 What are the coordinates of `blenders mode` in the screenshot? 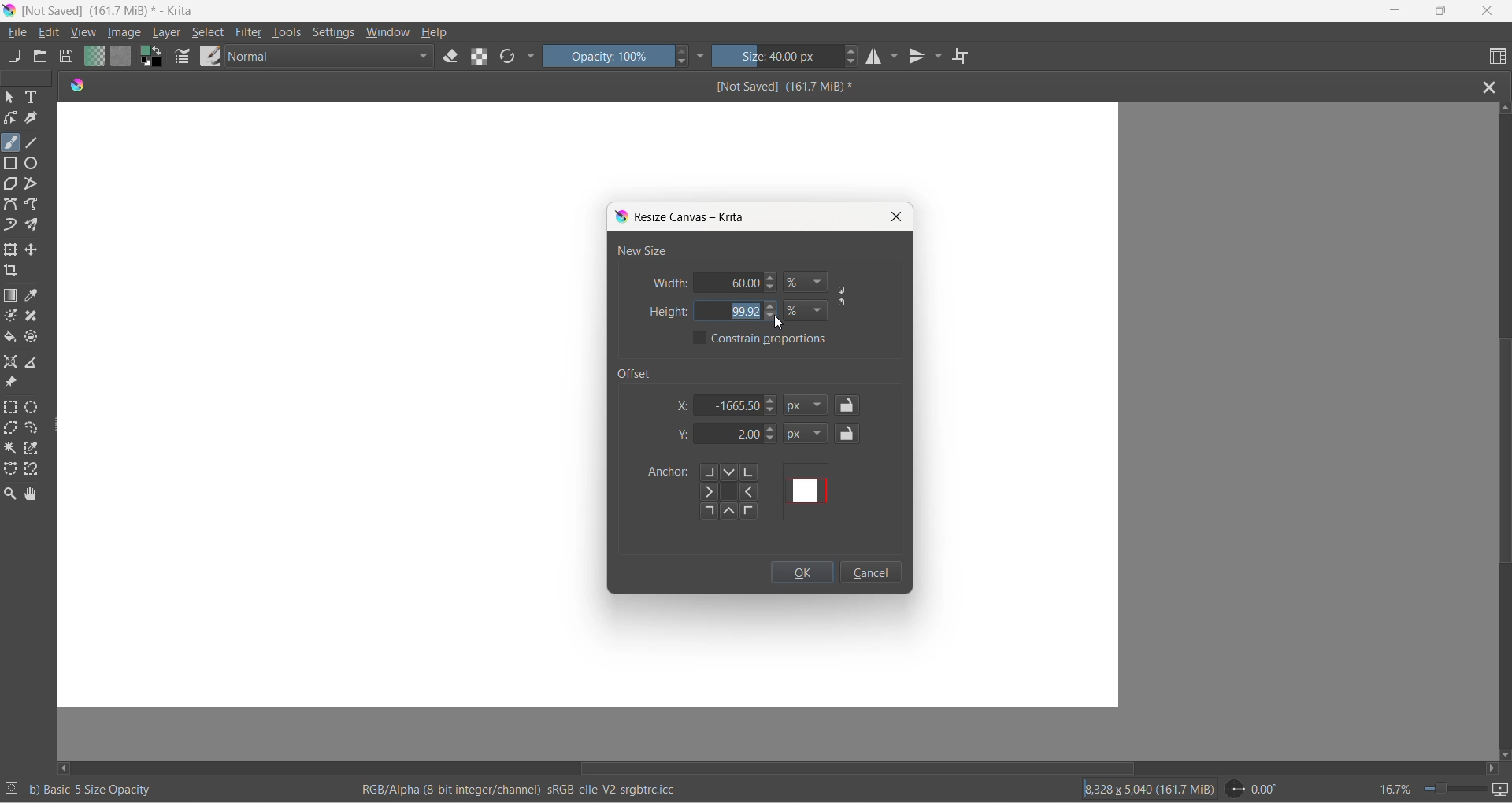 It's located at (332, 58).